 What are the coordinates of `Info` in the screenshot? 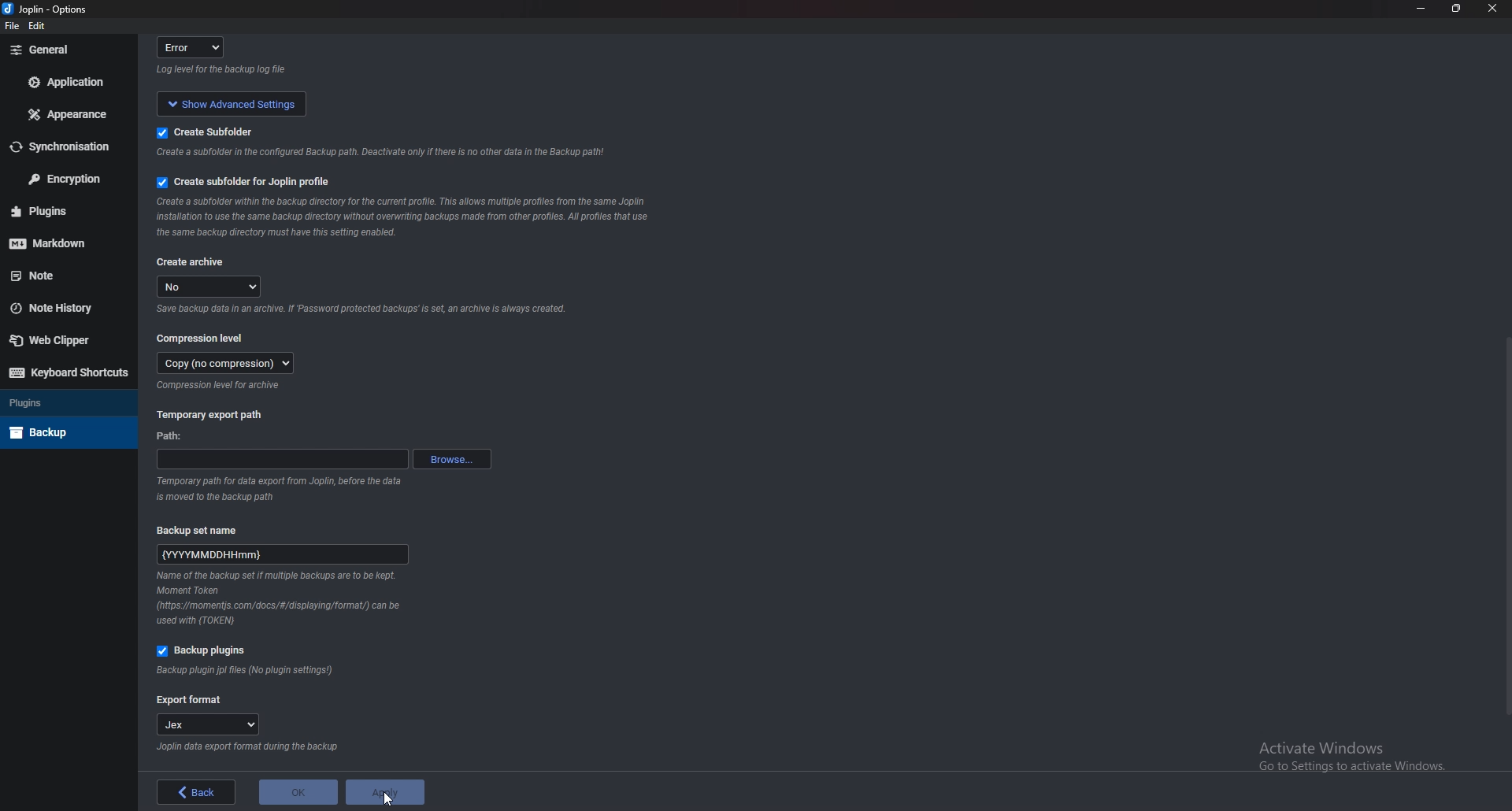 It's located at (246, 747).